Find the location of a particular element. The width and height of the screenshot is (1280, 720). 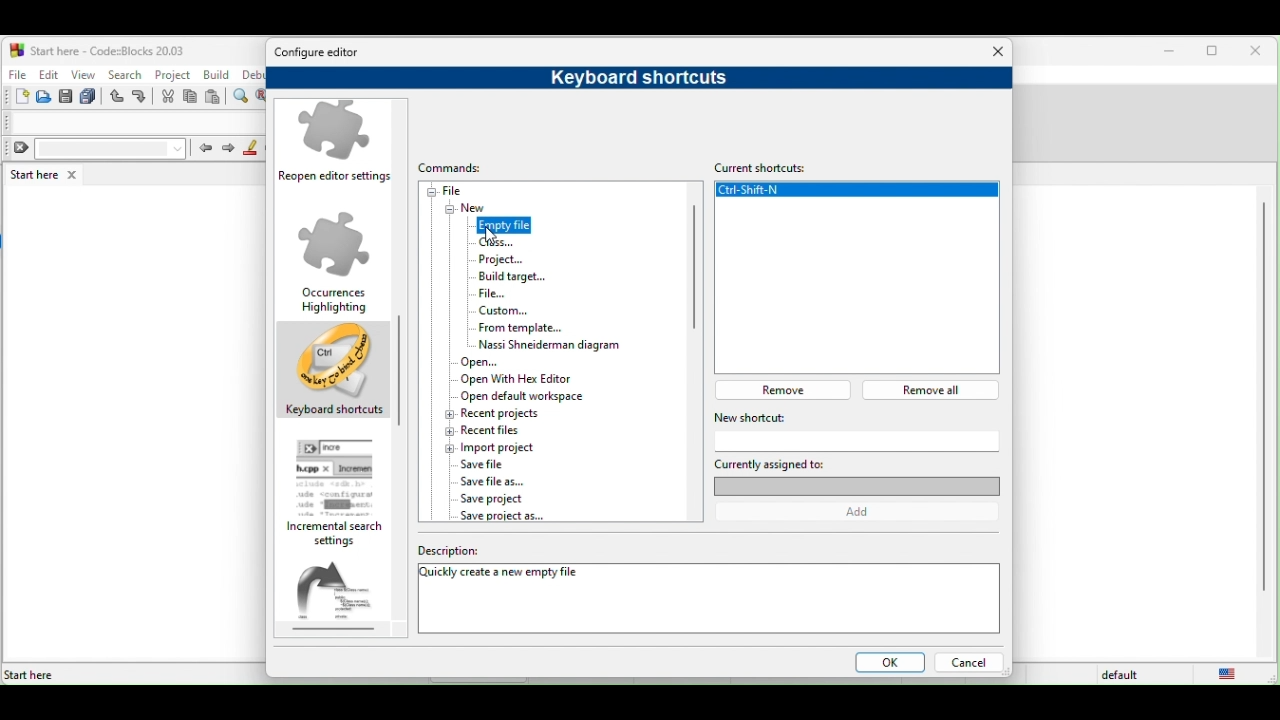

build target is located at coordinates (513, 277).